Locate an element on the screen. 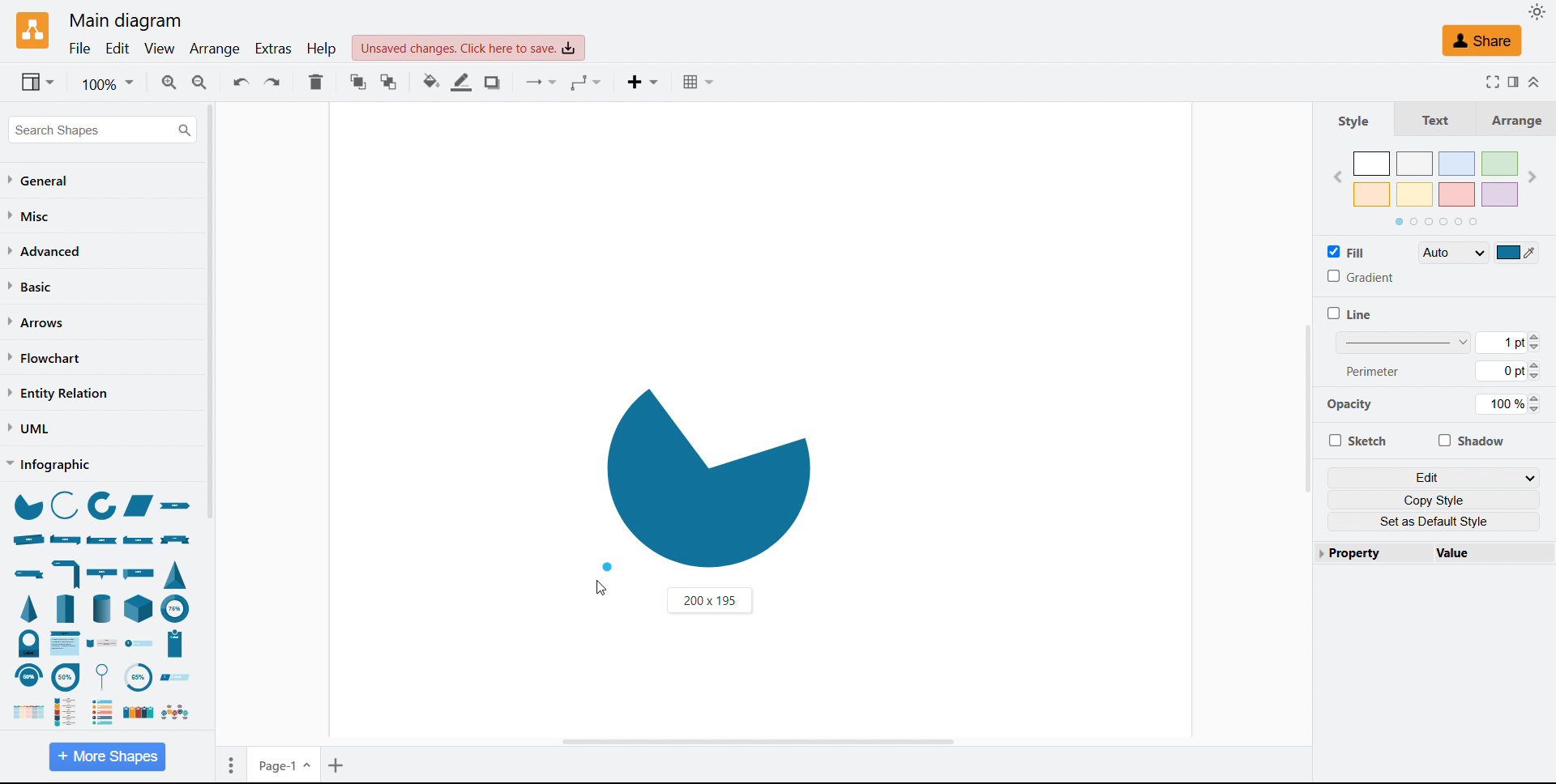 The image size is (1556, 784). circular callout is located at coordinates (66, 676).